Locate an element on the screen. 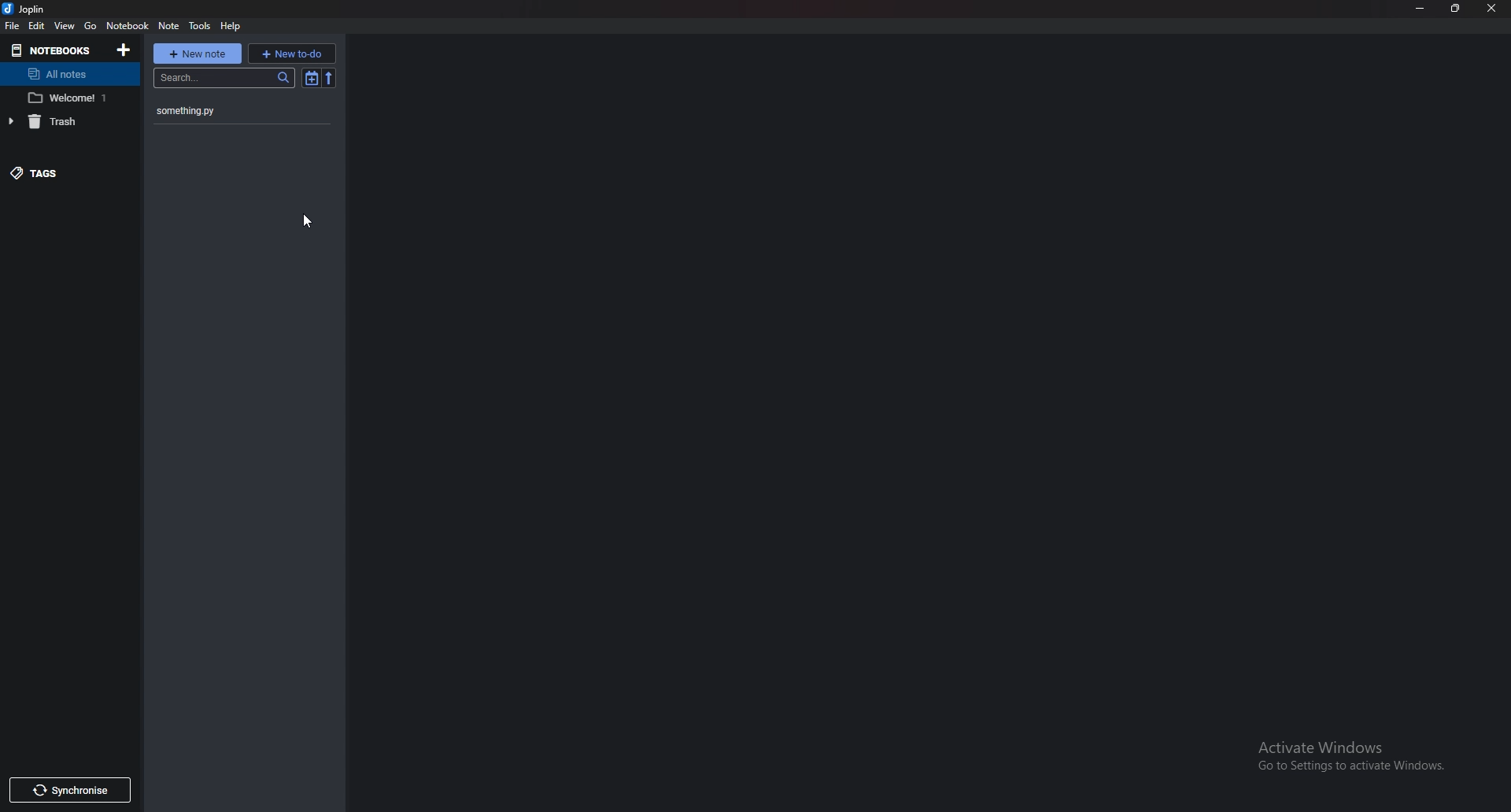 Image resolution: width=1511 pixels, height=812 pixels. Synchronize is located at coordinates (69, 789).